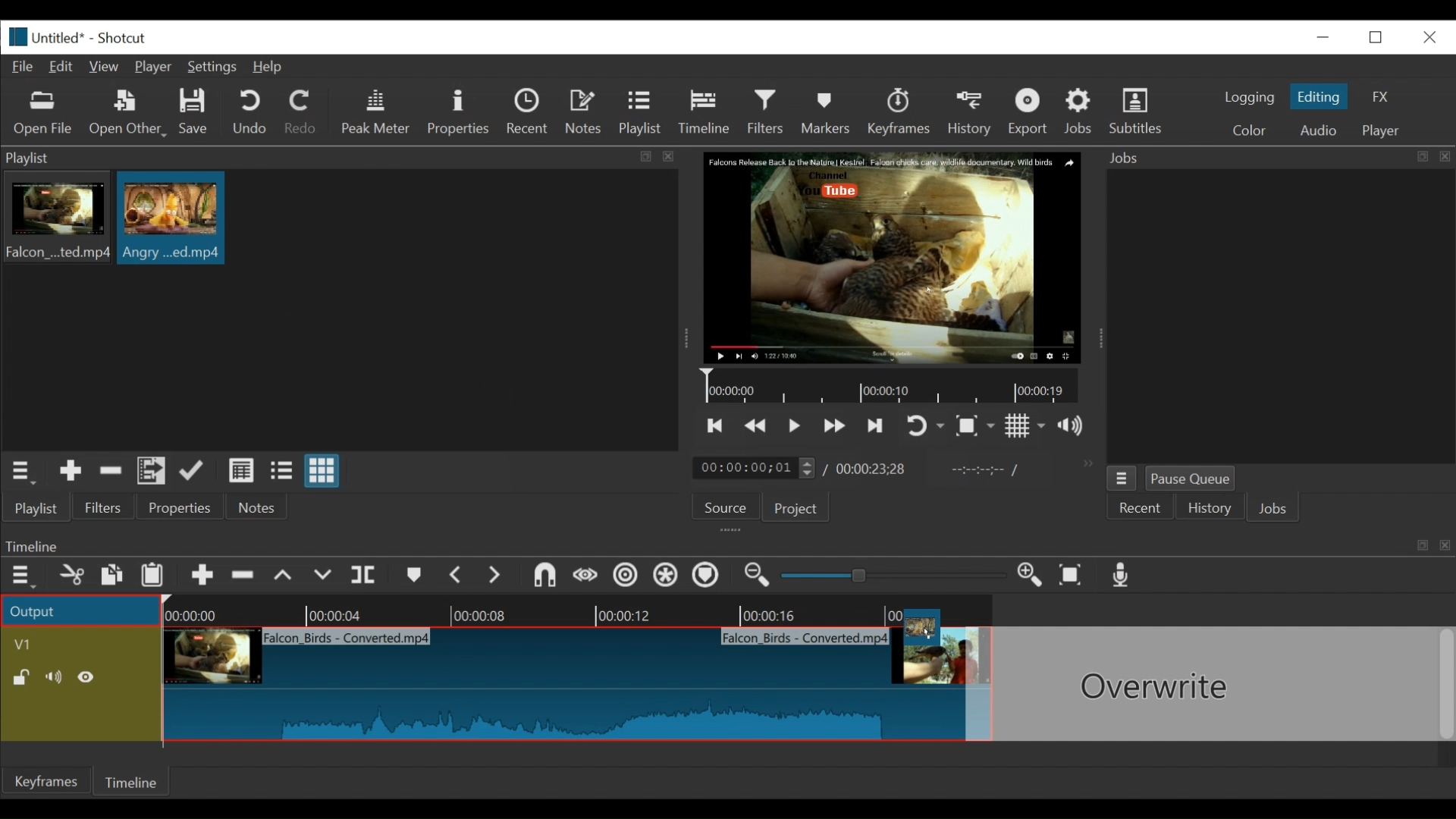 This screenshot has height=819, width=1456. I want to click on Record audio, so click(1122, 579).